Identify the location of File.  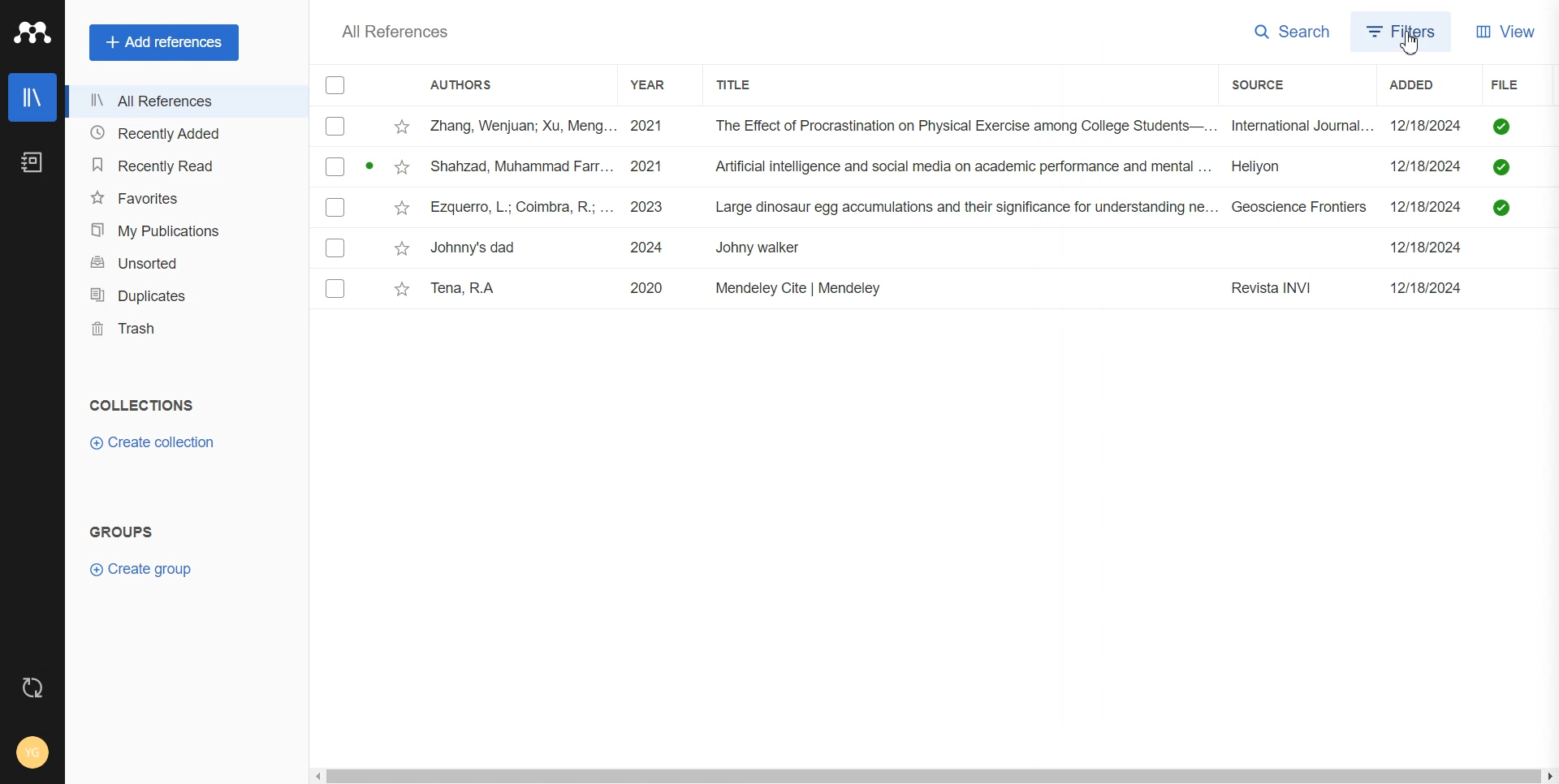
(918, 248).